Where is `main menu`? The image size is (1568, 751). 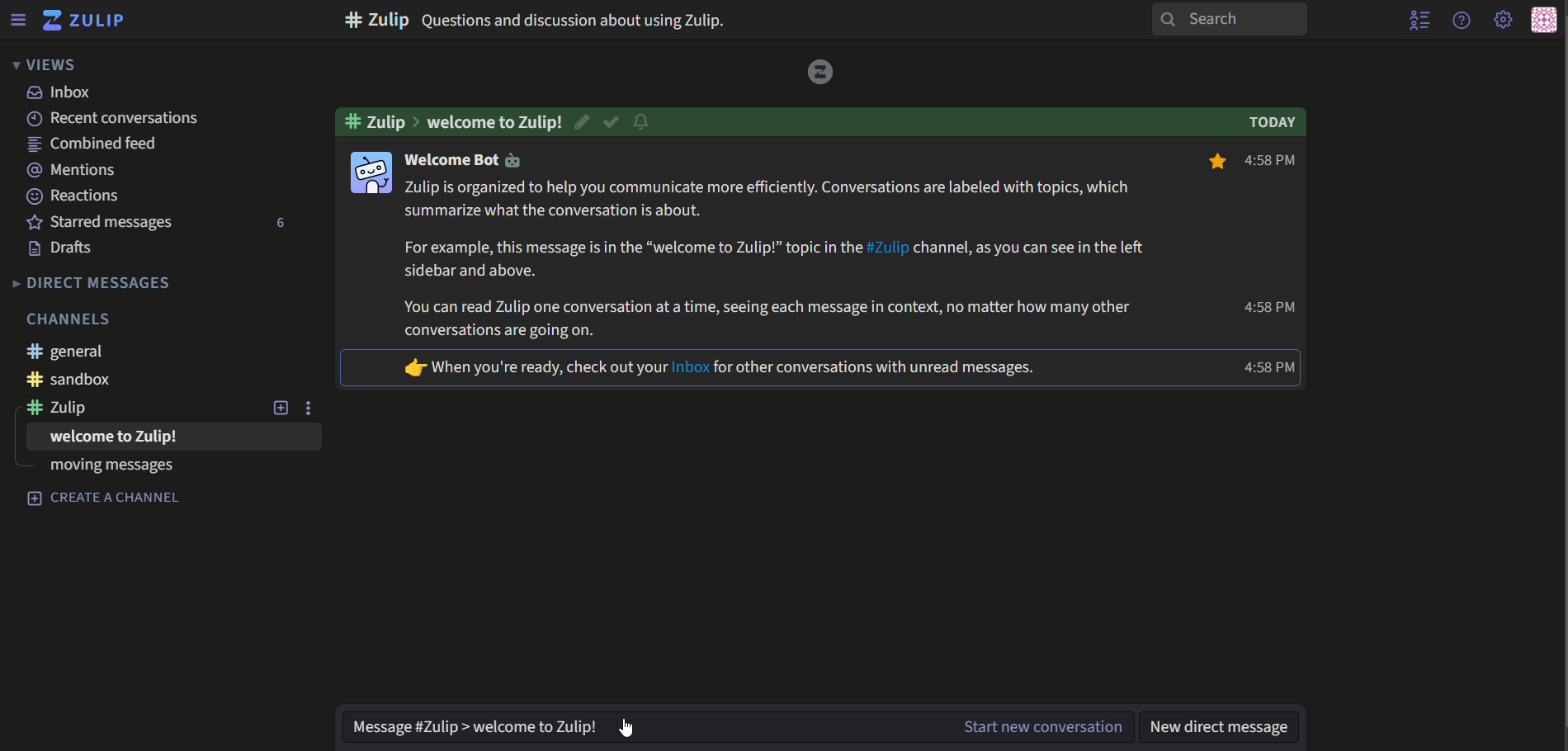
main menu is located at coordinates (1504, 21).